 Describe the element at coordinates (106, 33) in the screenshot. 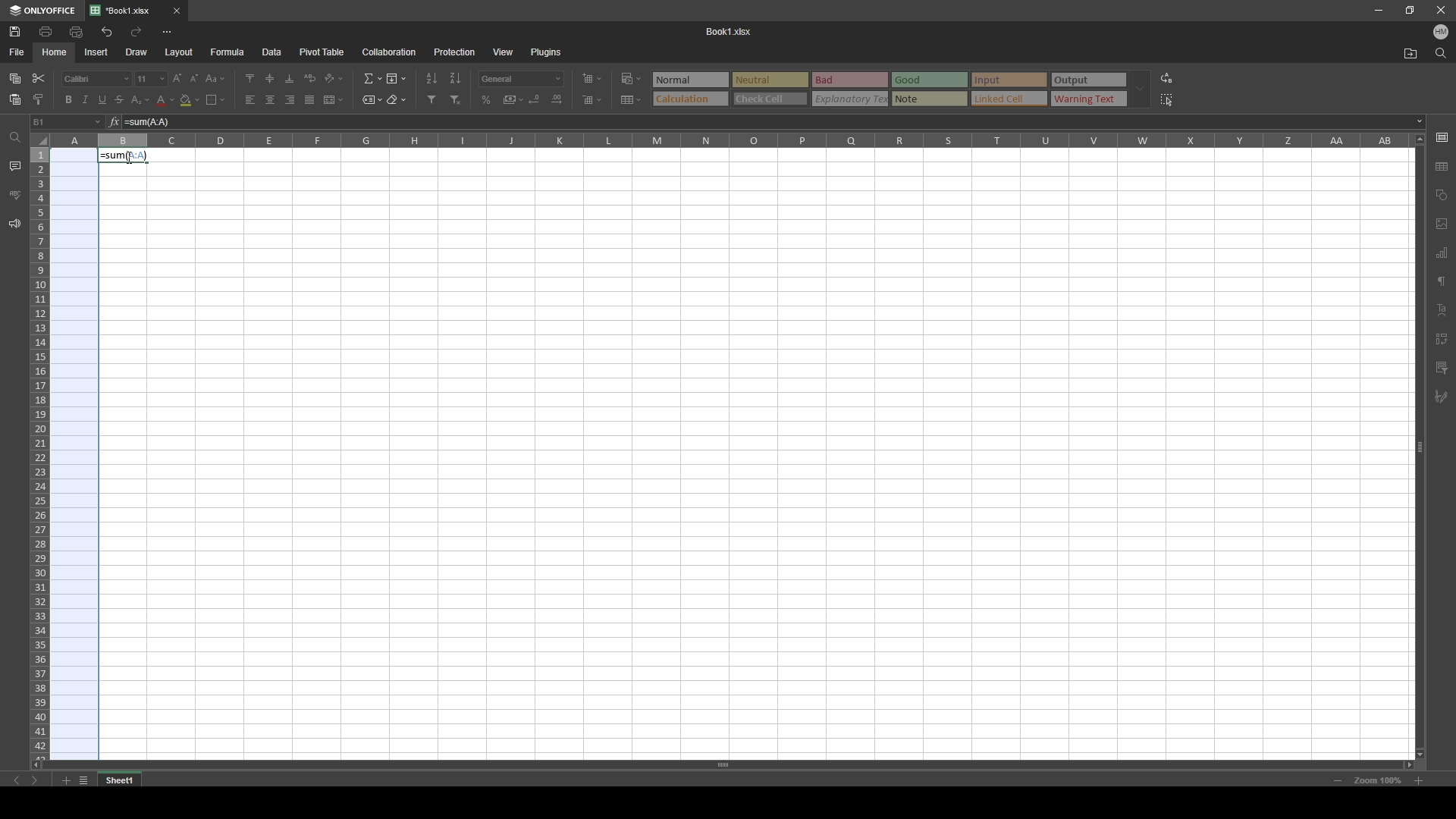

I see `undo` at that location.